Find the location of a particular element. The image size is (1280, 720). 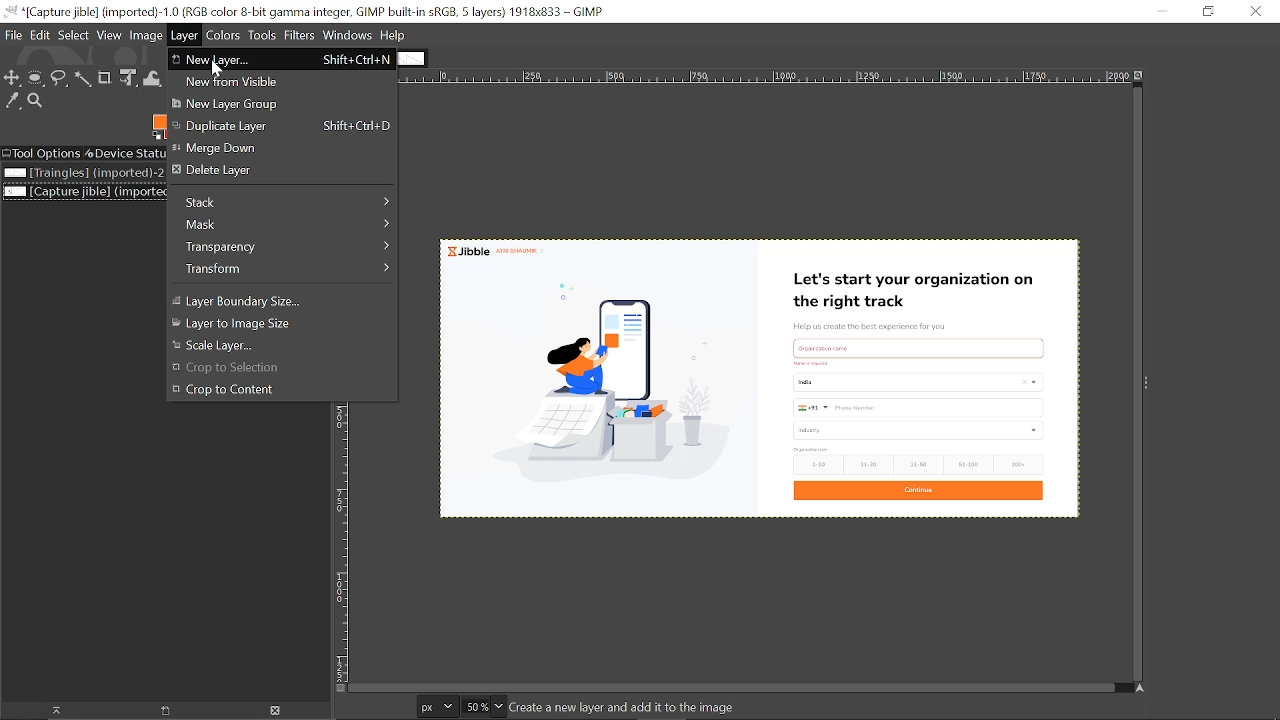

Ellipse select tool is located at coordinates (36, 78).